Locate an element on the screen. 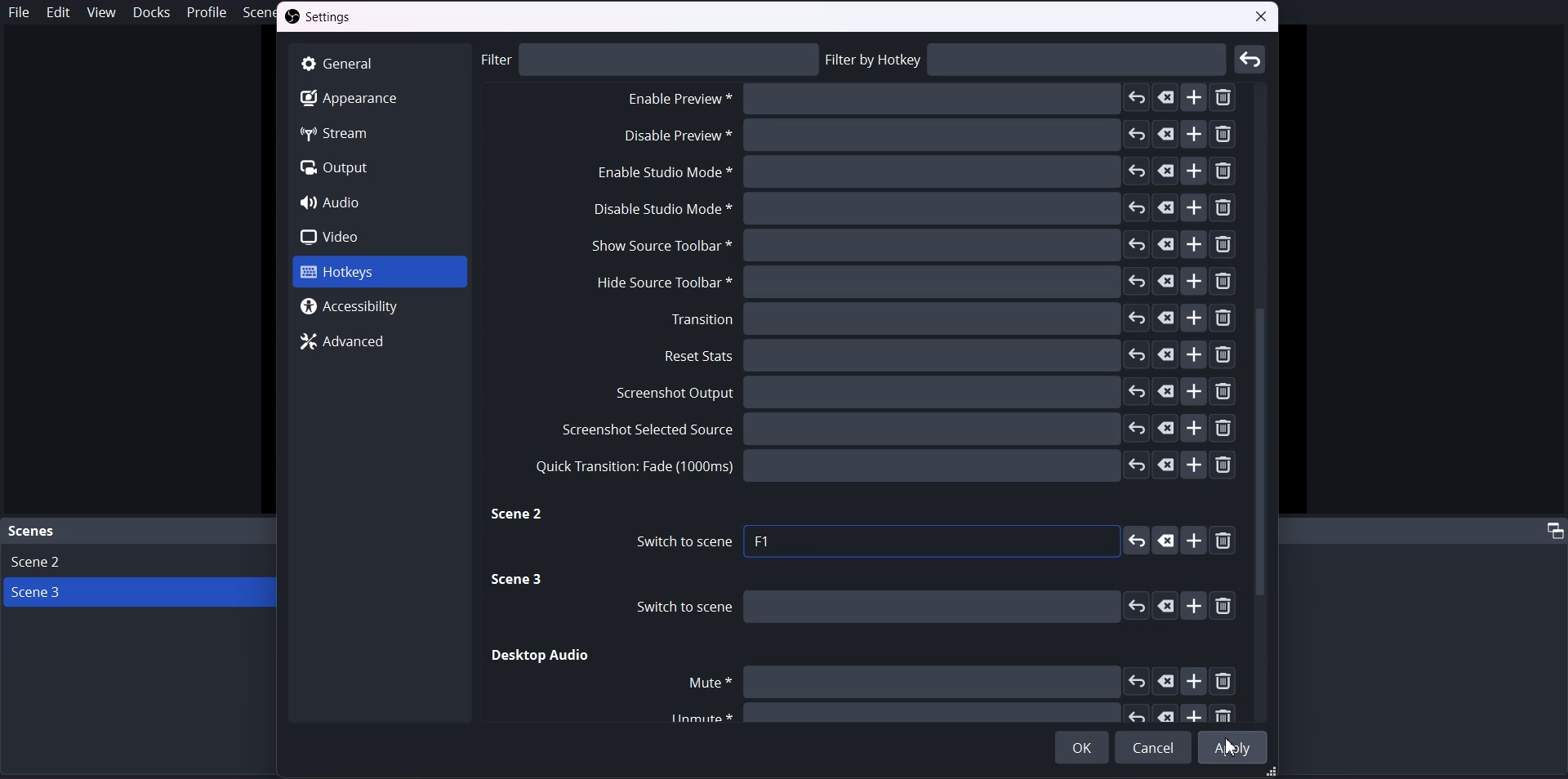  Cancel is located at coordinates (1153, 747).